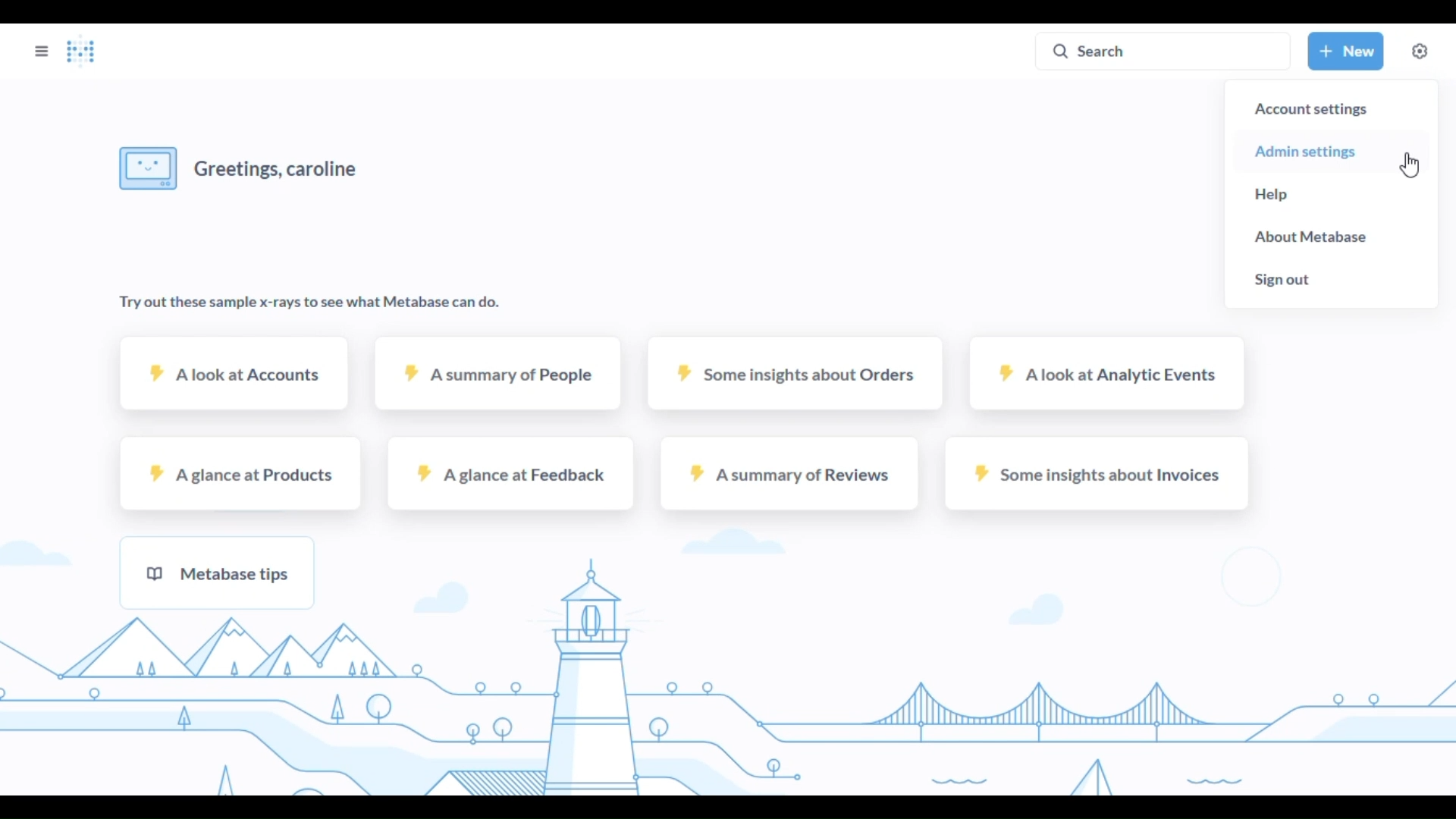 This screenshot has width=1456, height=819. I want to click on search, so click(1164, 50).